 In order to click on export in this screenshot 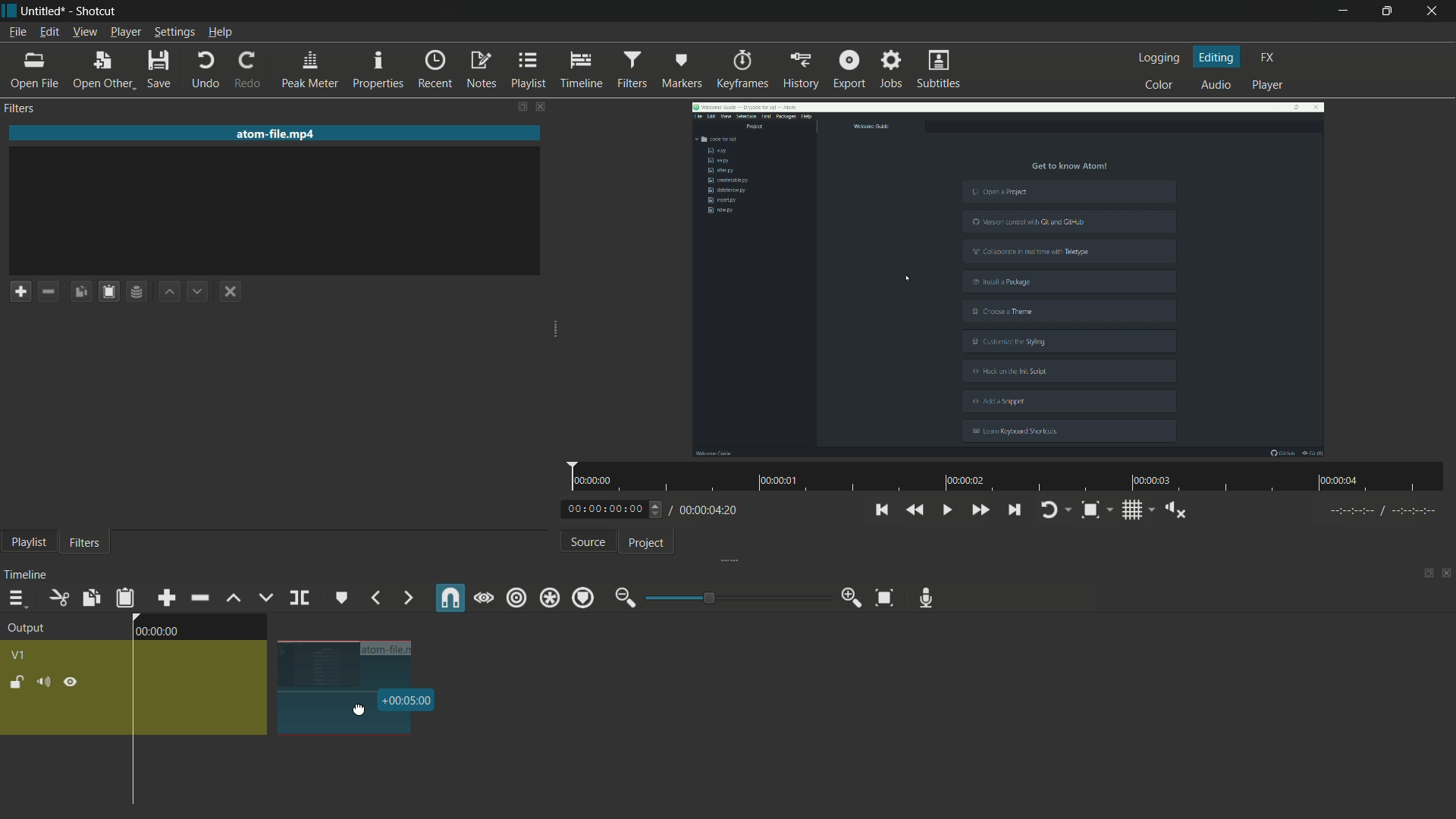, I will do `click(849, 71)`.